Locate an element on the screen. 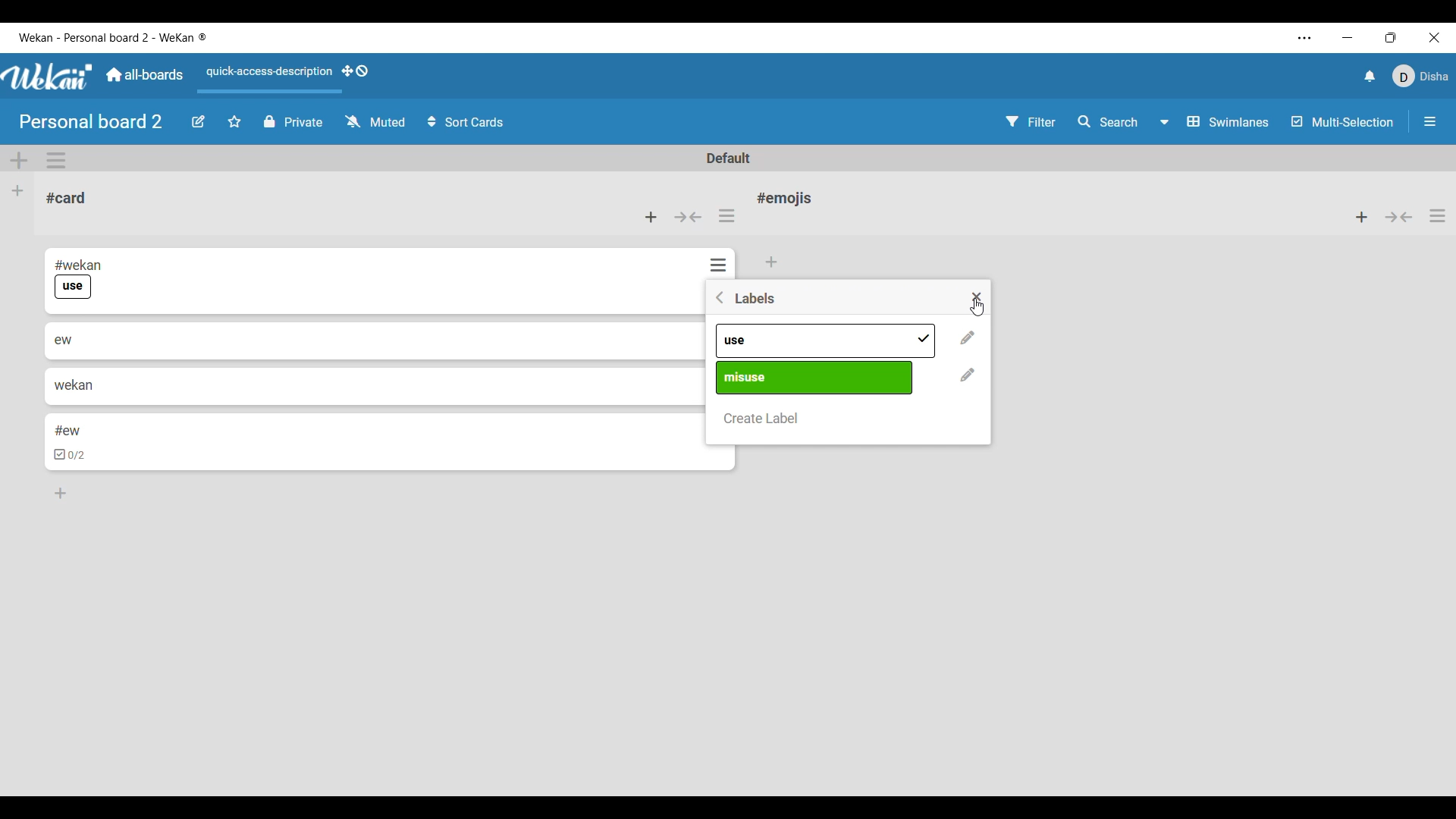 Image resolution: width=1456 pixels, height=819 pixels. Swimlane actions is located at coordinates (56, 160).